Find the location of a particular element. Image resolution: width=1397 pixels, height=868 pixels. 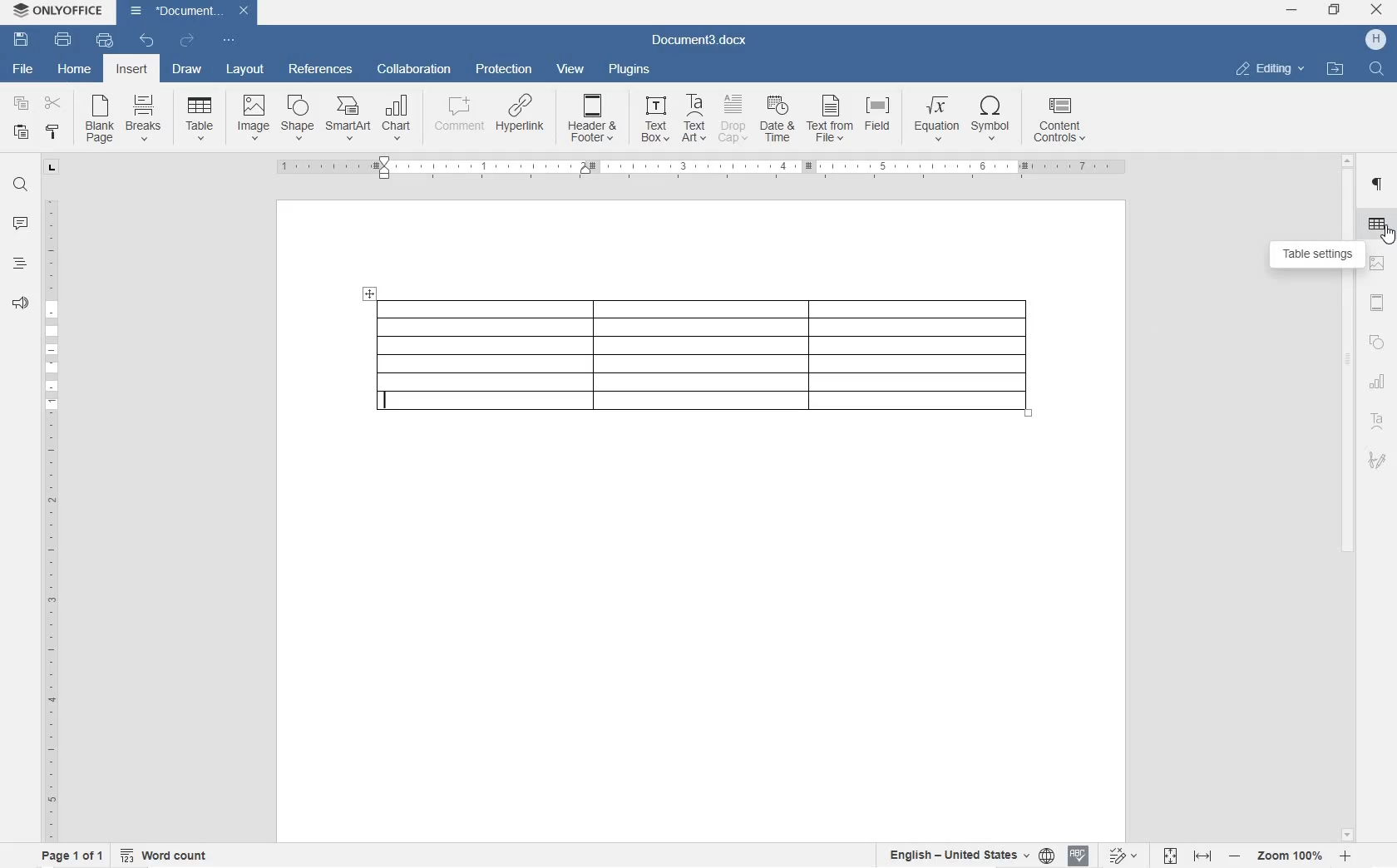

PROTECTION is located at coordinates (506, 70).